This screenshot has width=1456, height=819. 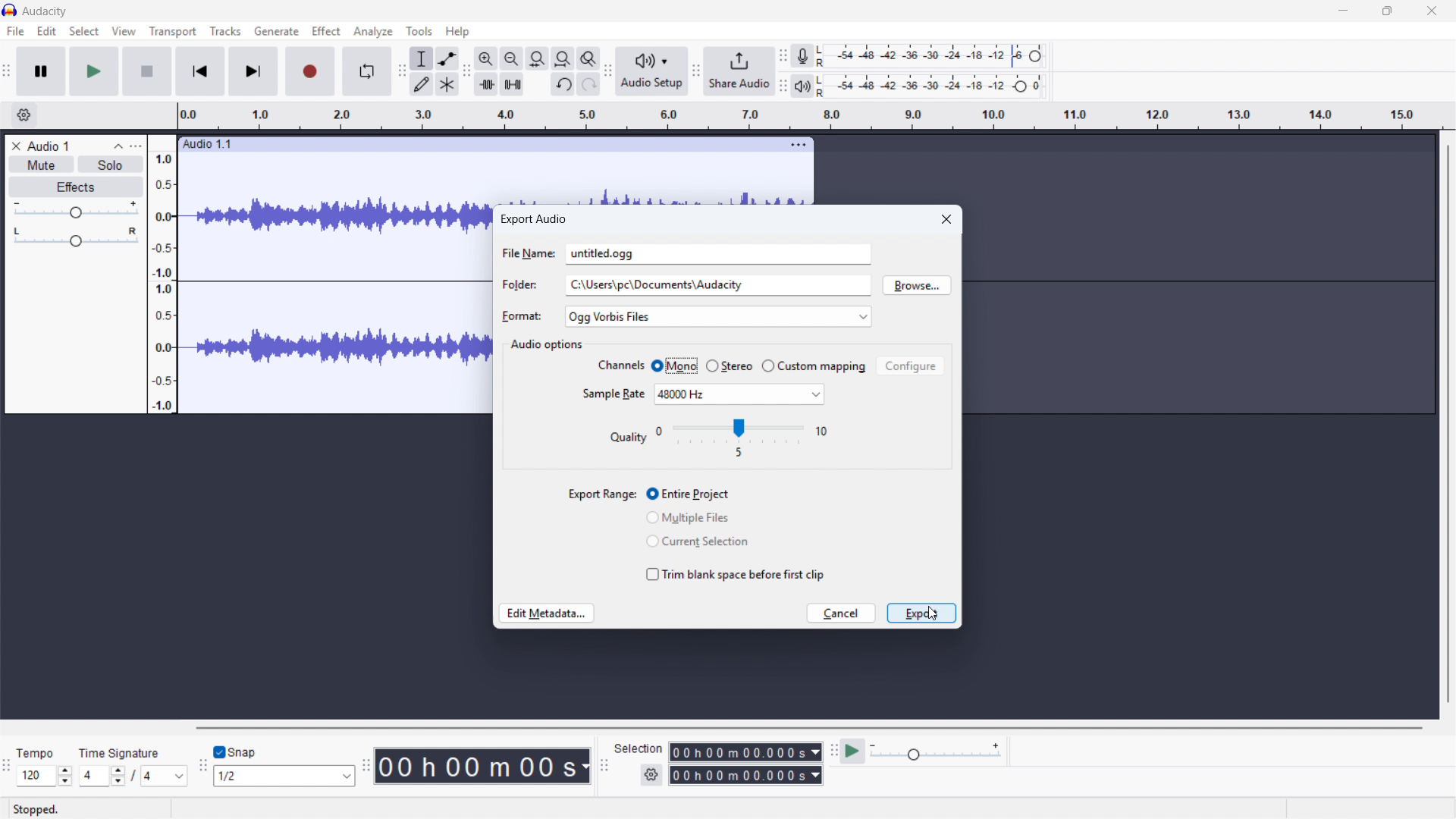 I want to click on Stereo , so click(x=730, y=366).